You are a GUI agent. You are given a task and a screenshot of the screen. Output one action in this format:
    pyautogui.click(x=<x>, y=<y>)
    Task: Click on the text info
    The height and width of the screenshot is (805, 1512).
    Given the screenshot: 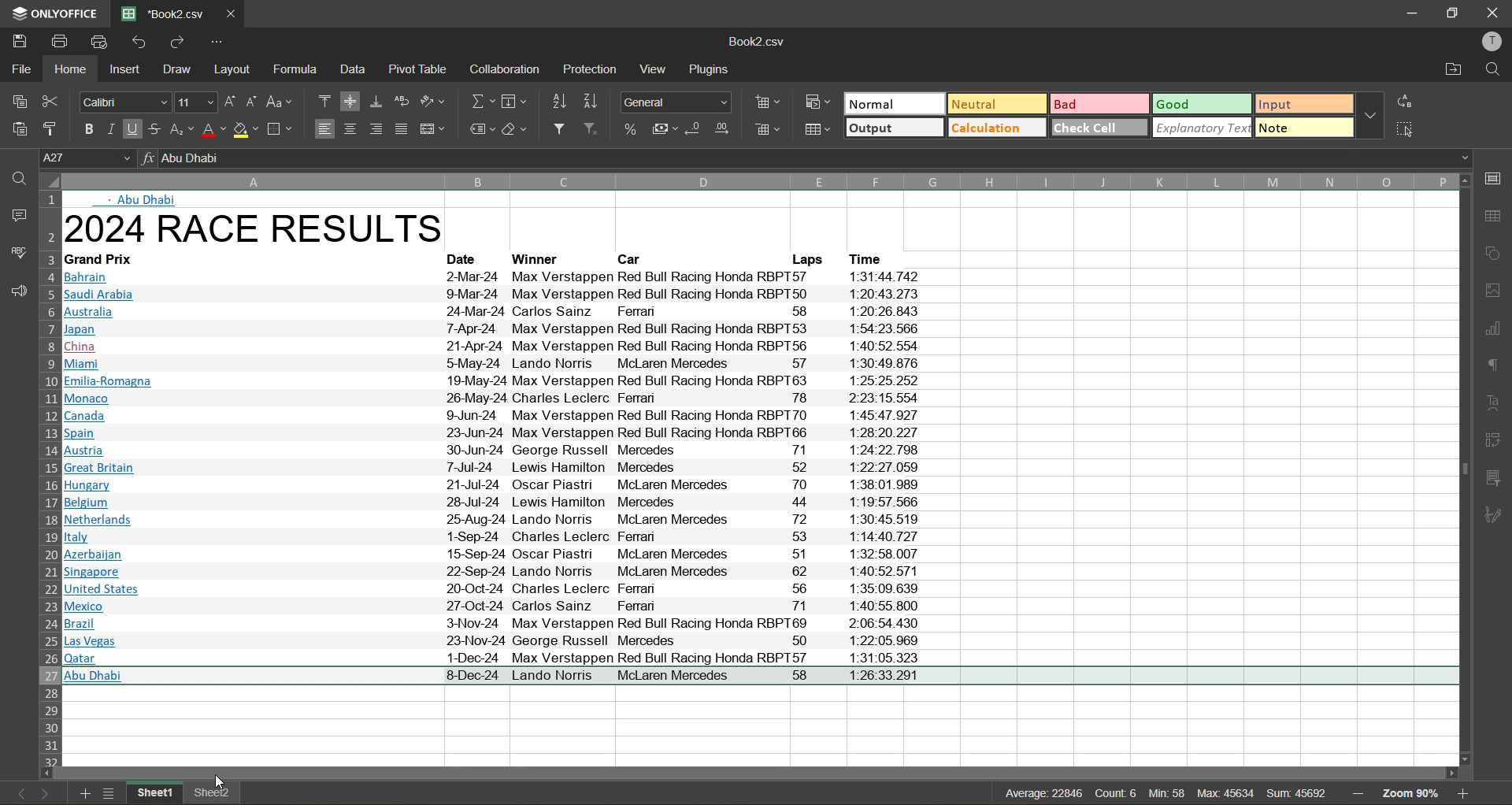 What is the action you would take?
    pyautogui.click(x=495, y=329)
    